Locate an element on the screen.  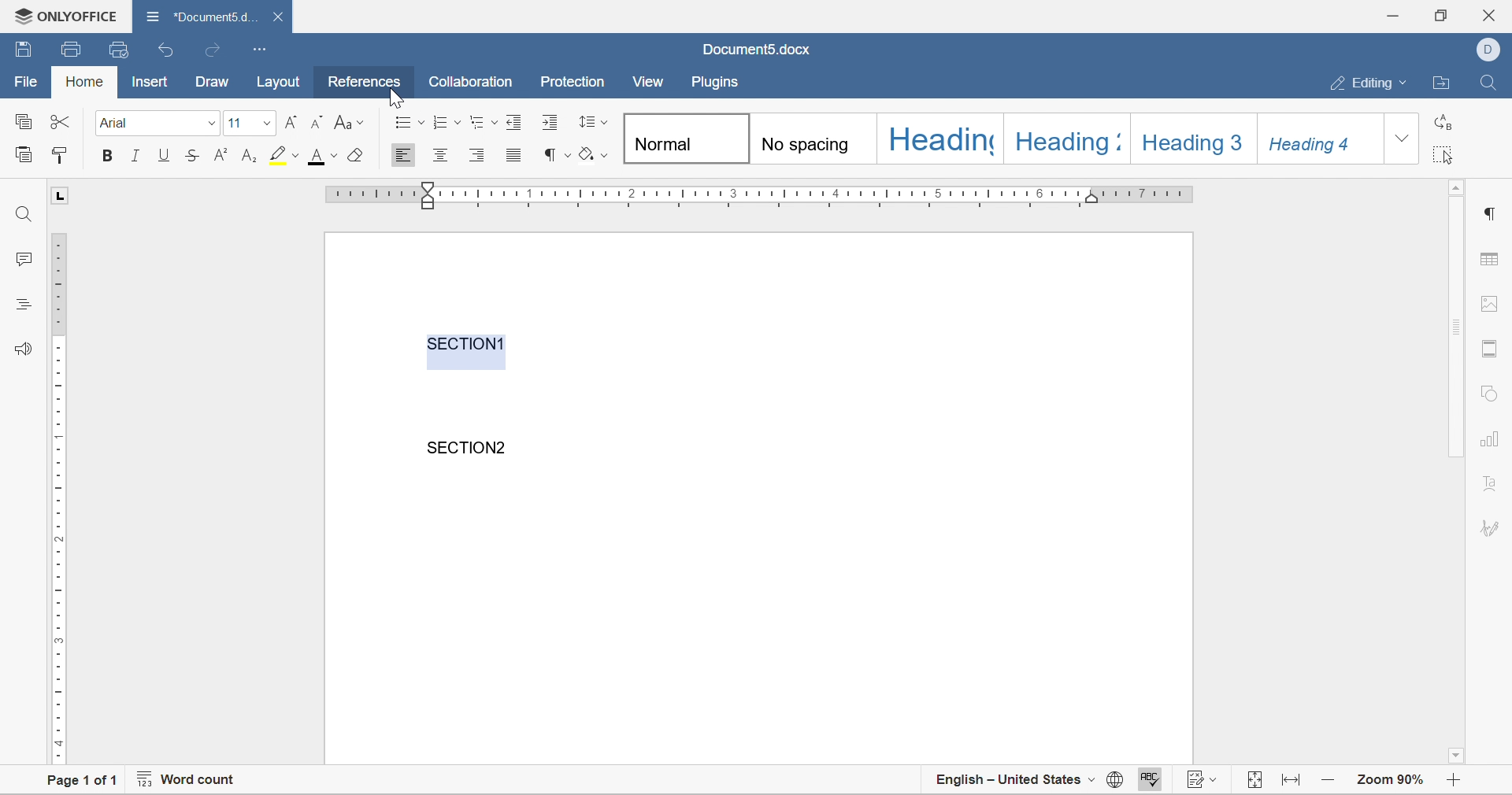
find is located at coordinates (1488, 80).